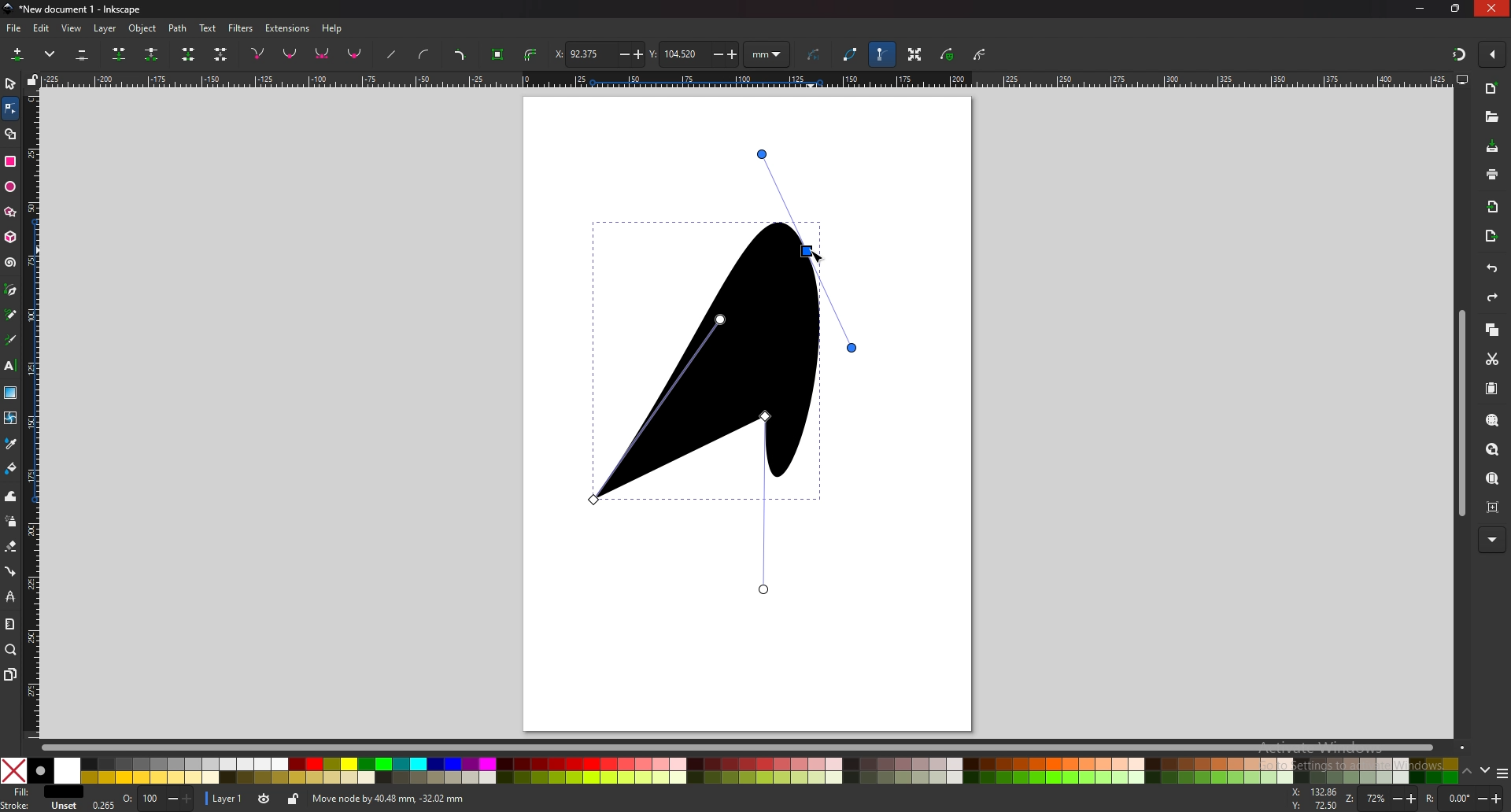  I want to click on y coordinate, so click(694, 53).